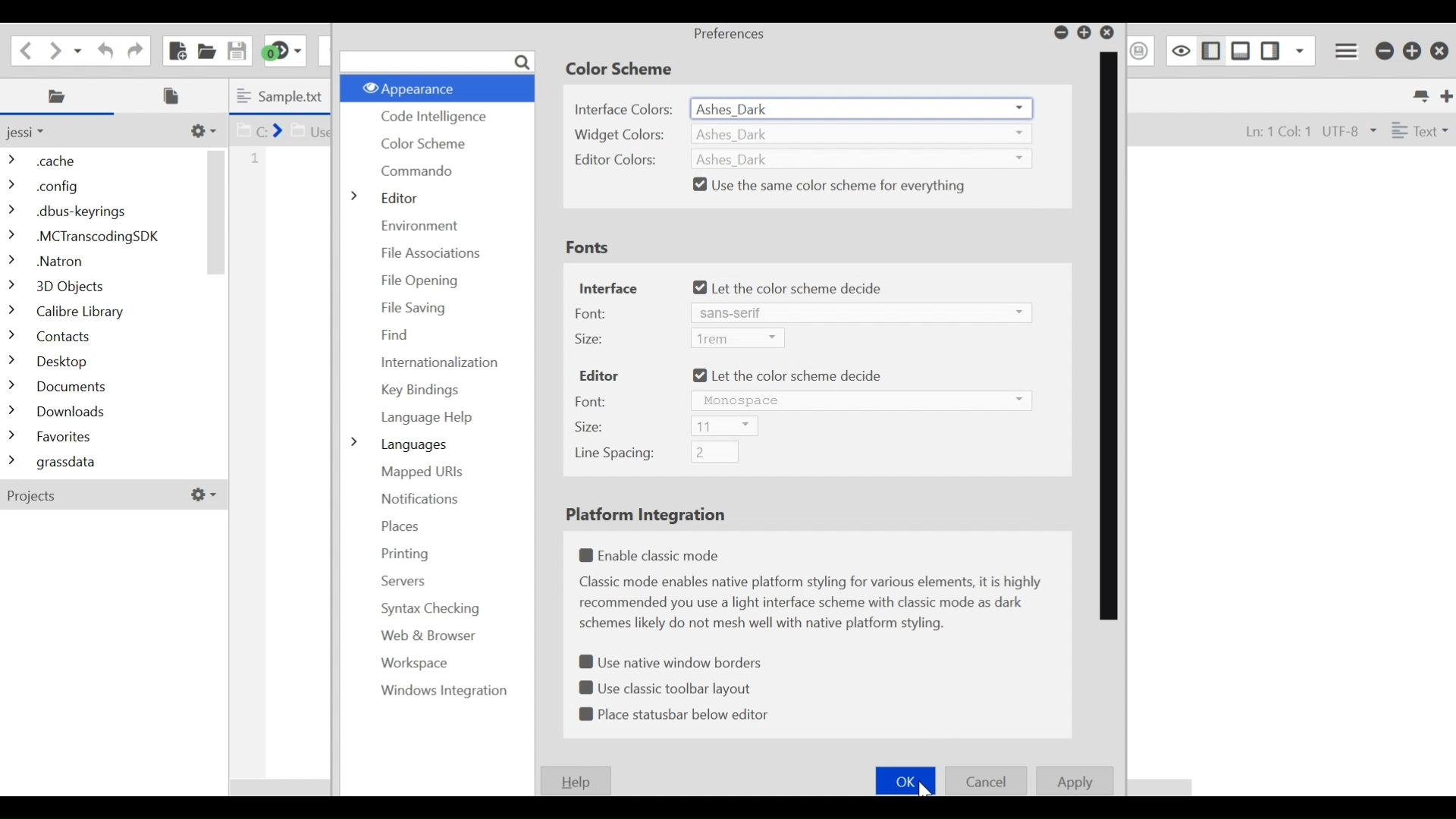 This screenshot has height=819, width=1456. Describe the element at coordinates (435, 87) in the screenshot. I see `Appearance` at that location.